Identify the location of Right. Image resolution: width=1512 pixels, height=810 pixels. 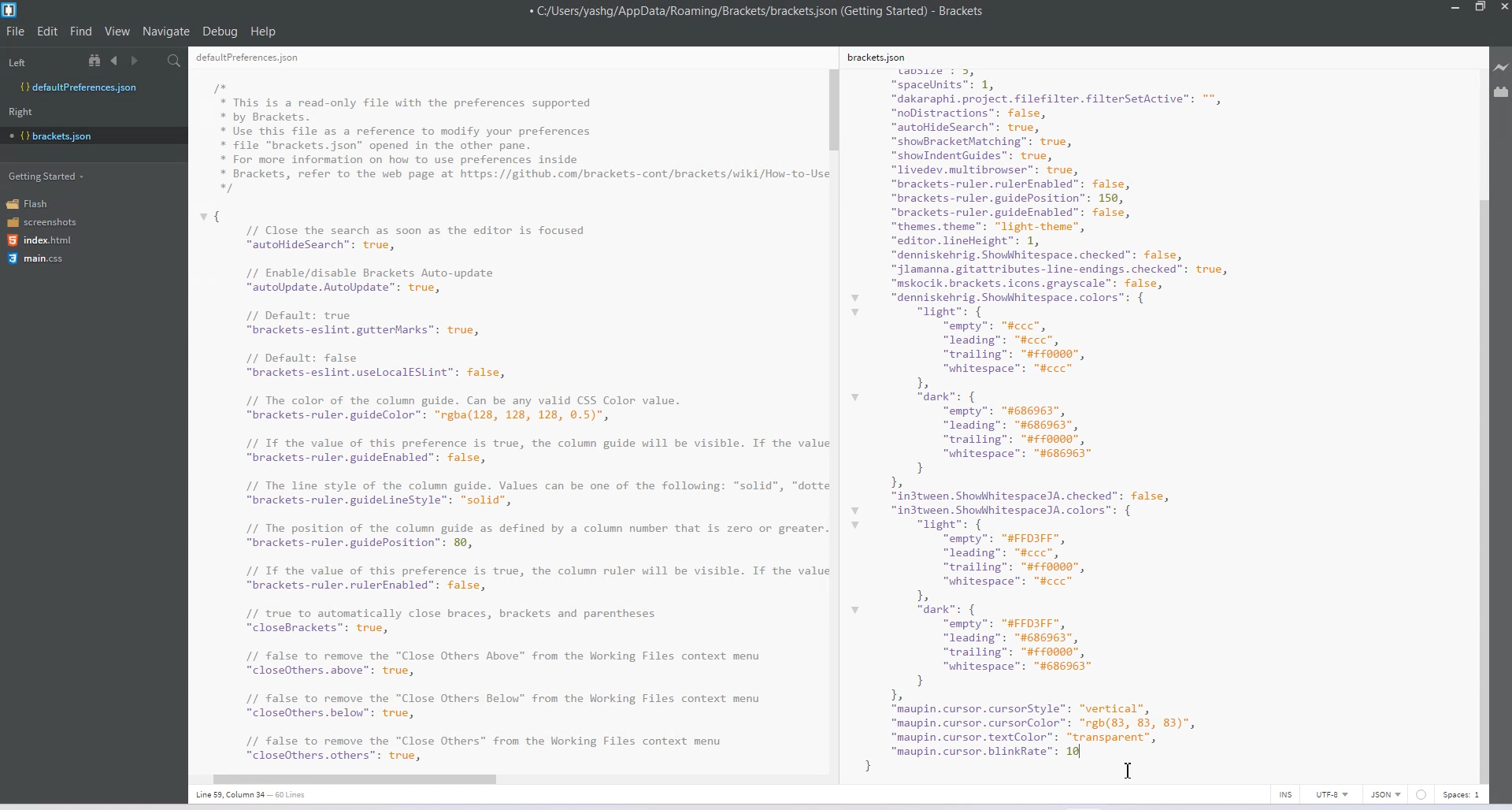
(20, 112).